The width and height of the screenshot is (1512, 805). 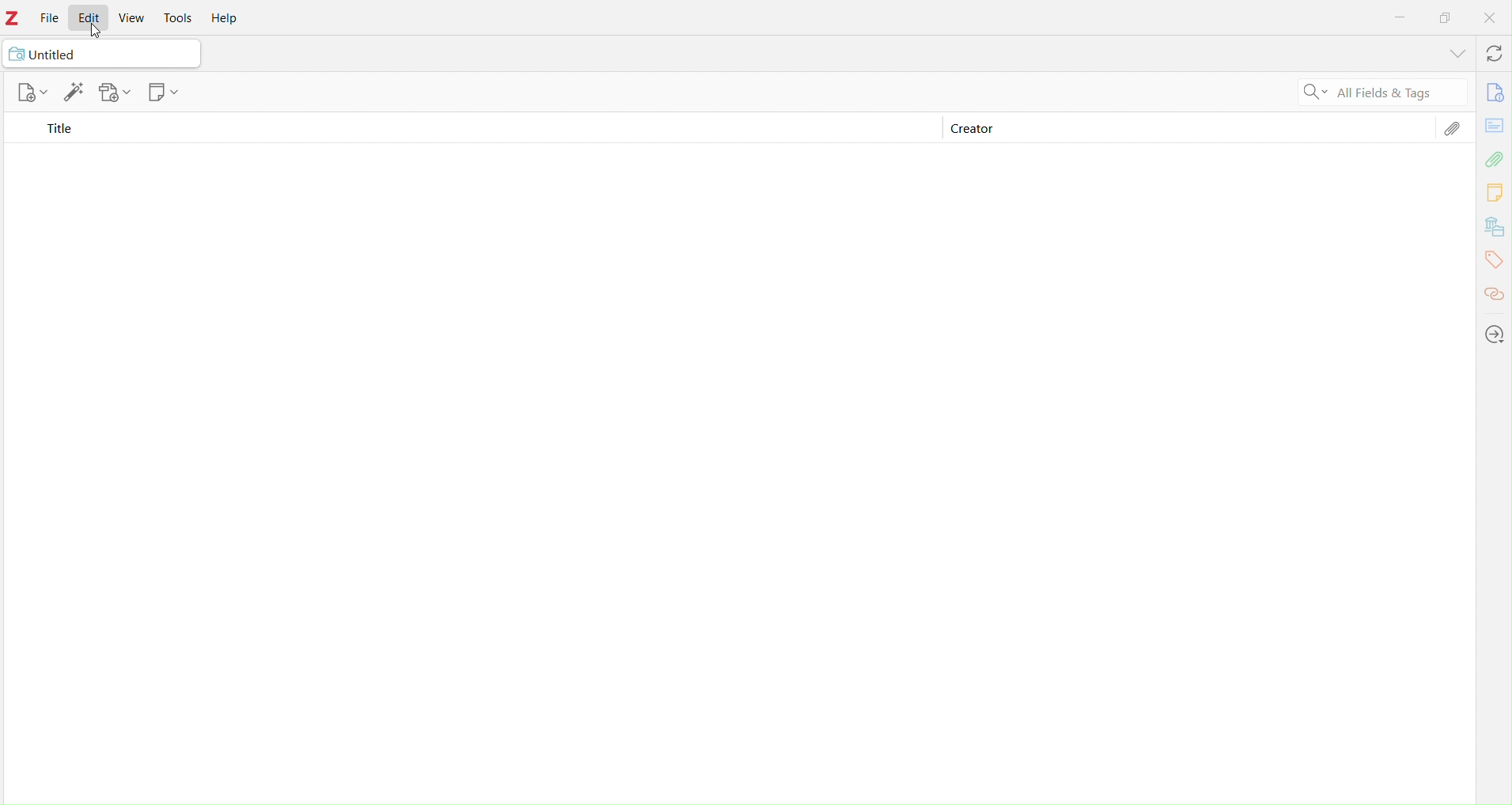 I want to click on Tools, so click(x=182, y=18).